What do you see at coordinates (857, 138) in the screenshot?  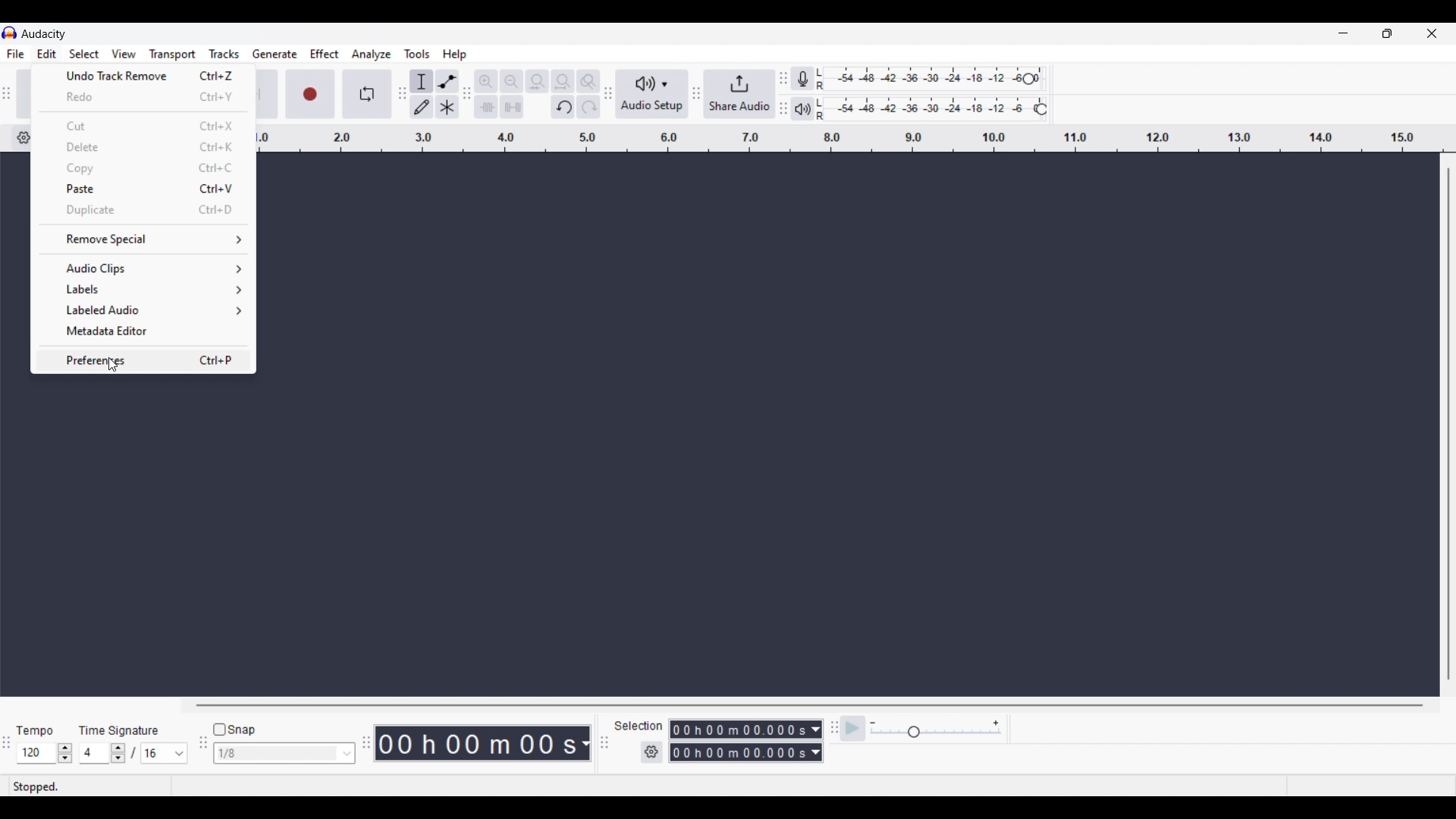 I see `Scale to measure audio length` at bounding box center [857, 138].